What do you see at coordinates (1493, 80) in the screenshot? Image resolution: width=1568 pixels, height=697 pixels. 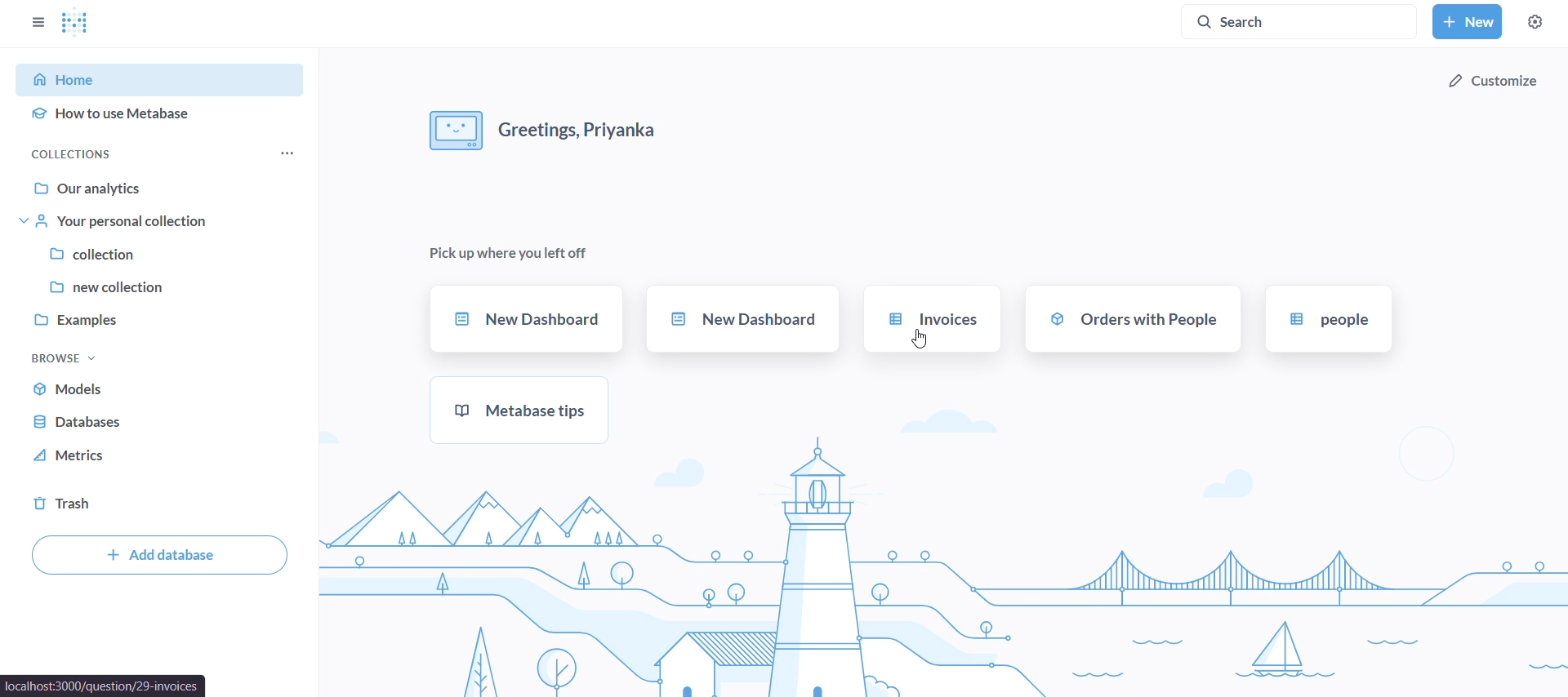 I see `customize` at bounding box center [1493, 80].